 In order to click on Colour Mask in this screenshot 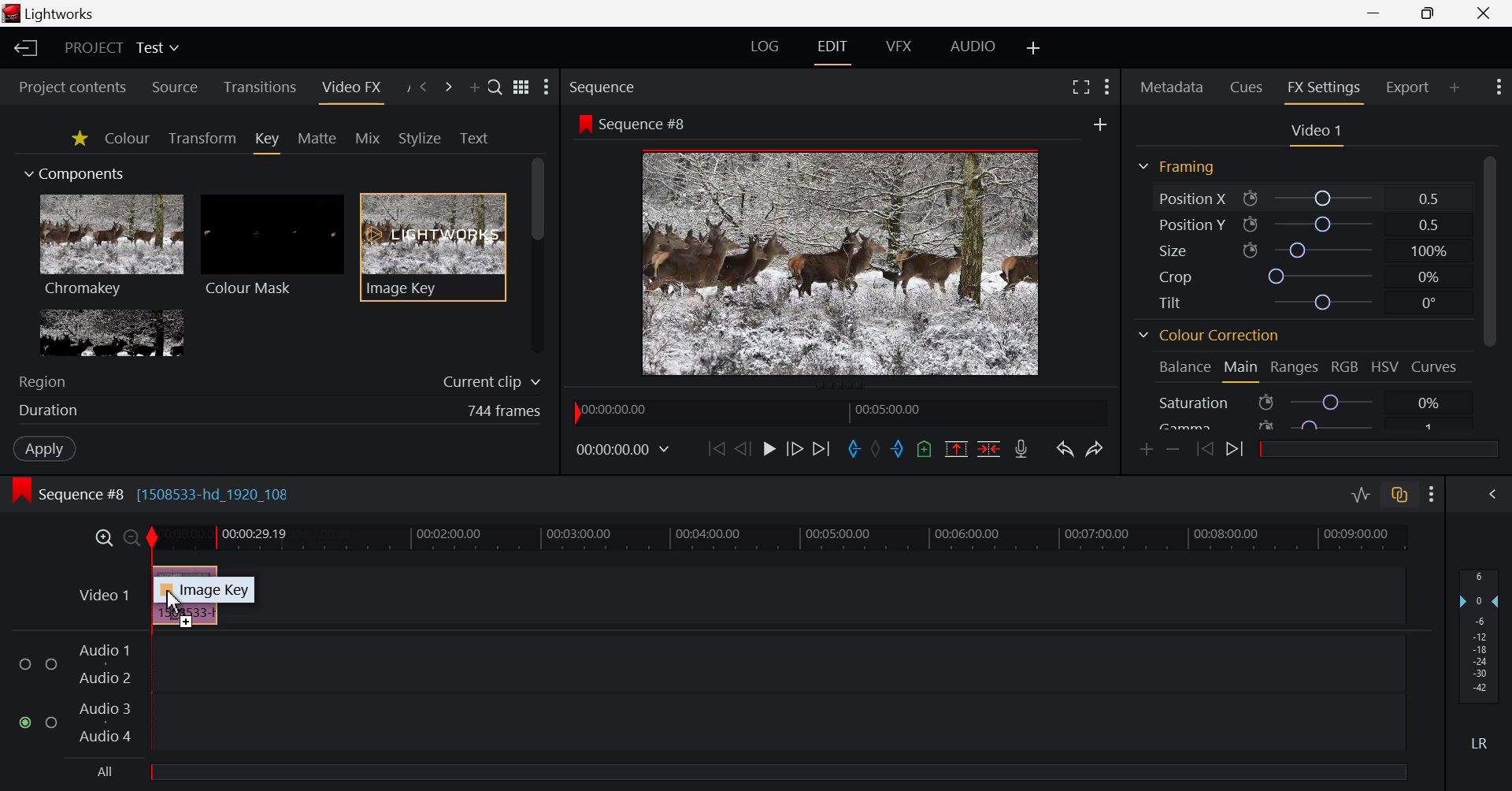, I will do `click(272, 247)`.